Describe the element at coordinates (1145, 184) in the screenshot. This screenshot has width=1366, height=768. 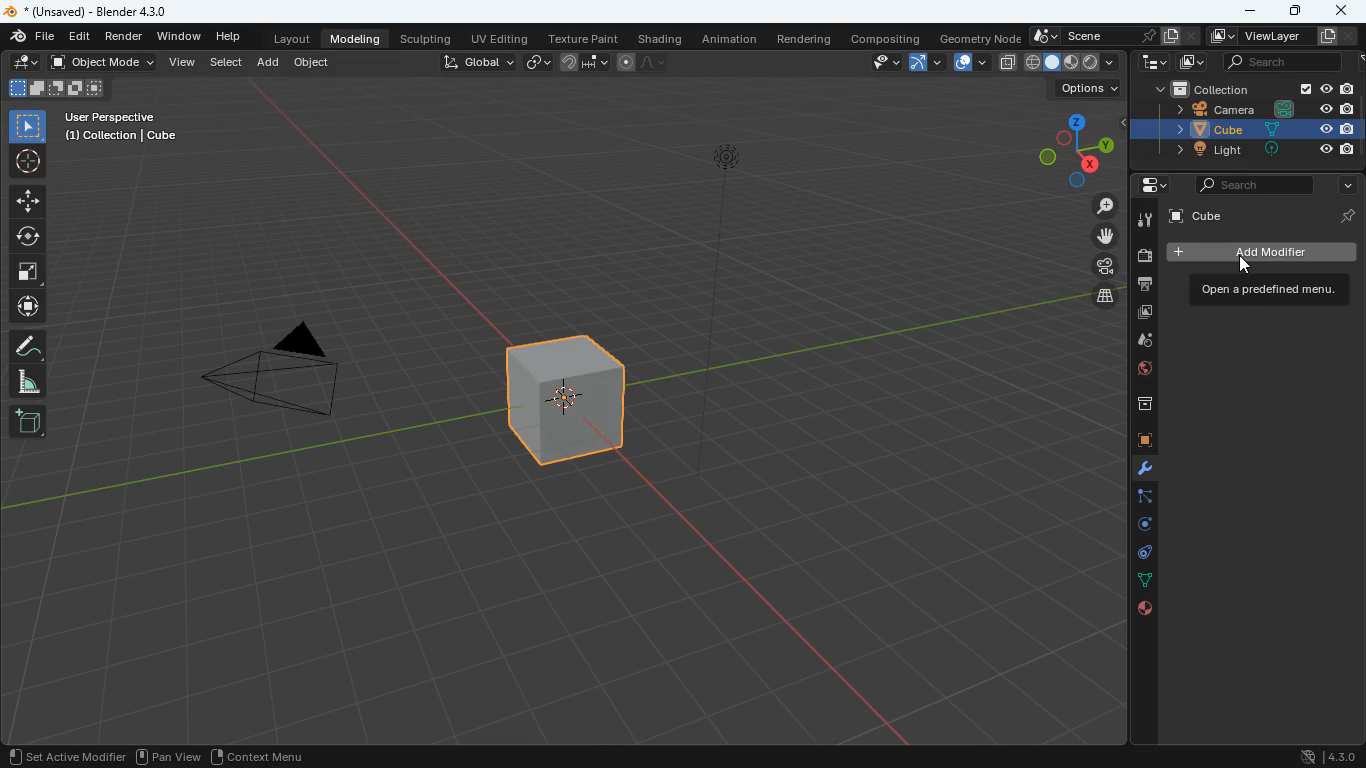
I see `settings` at that location.